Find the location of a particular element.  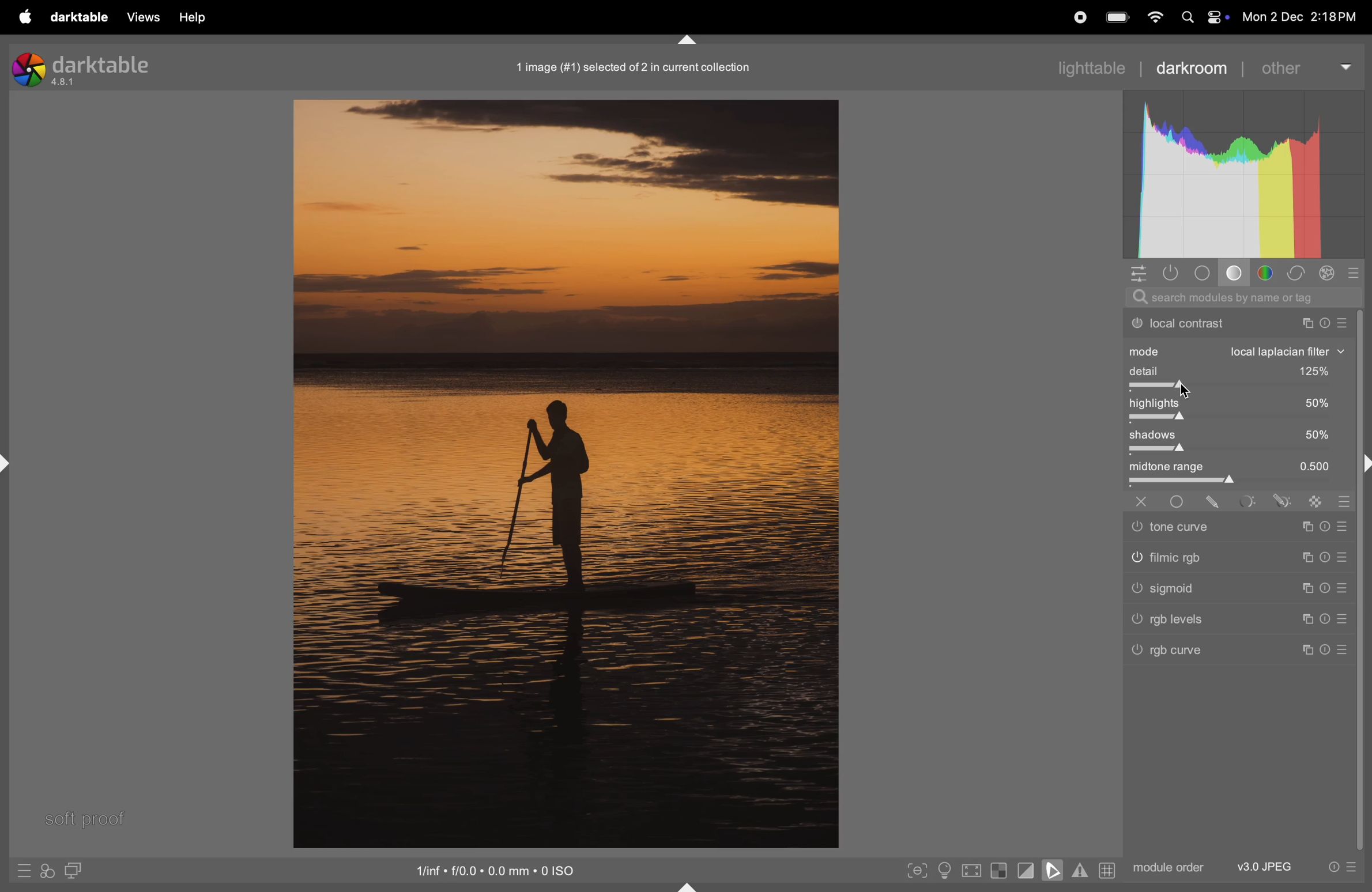

sign  is located at coordinates (1324, 589).